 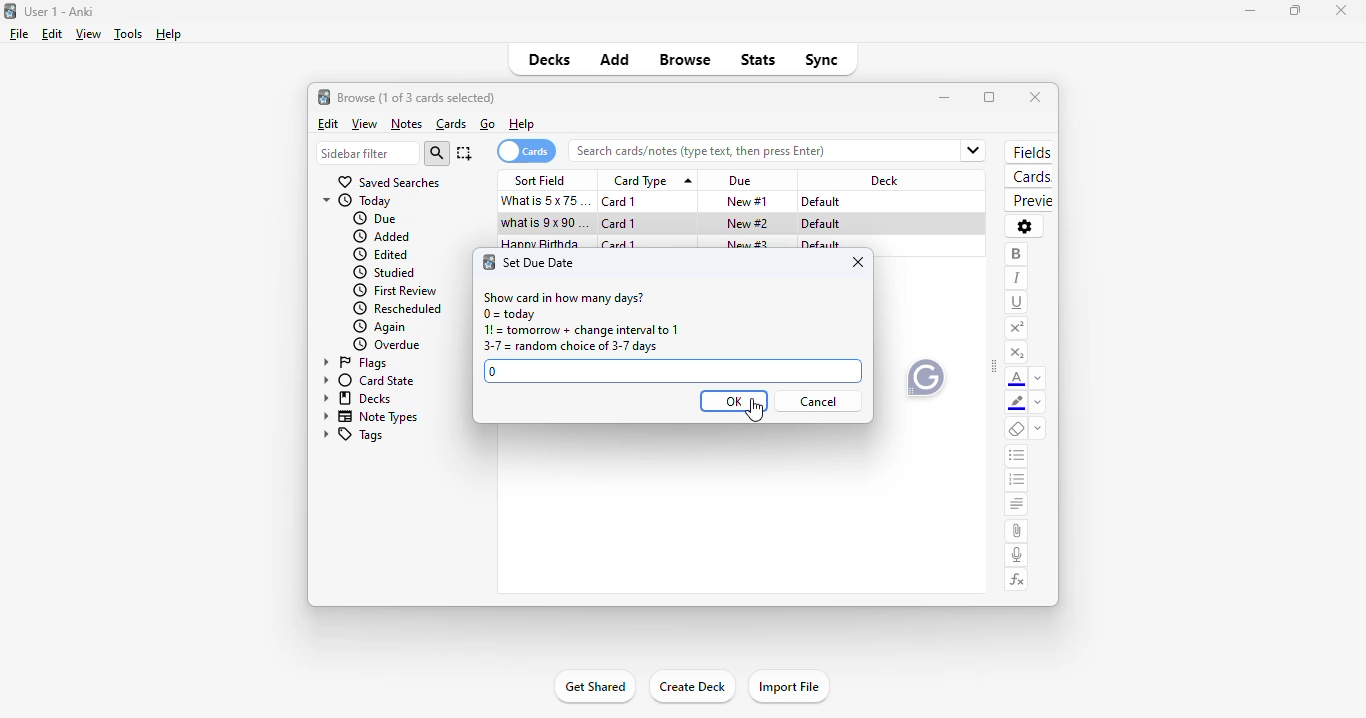 I want to click on view, so click(x=87, y=35).